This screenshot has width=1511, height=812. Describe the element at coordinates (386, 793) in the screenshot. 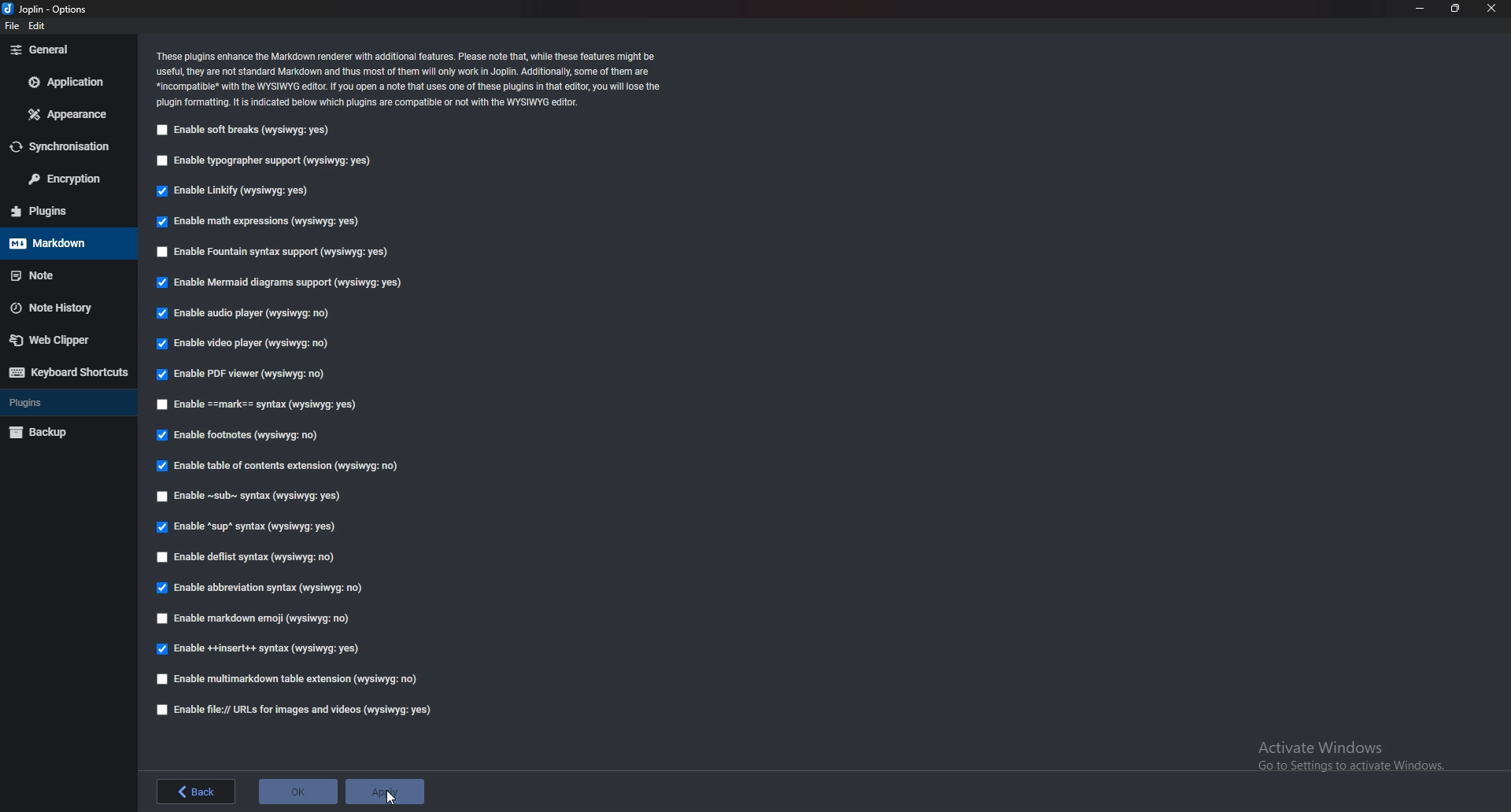

I see `apply` at that location.